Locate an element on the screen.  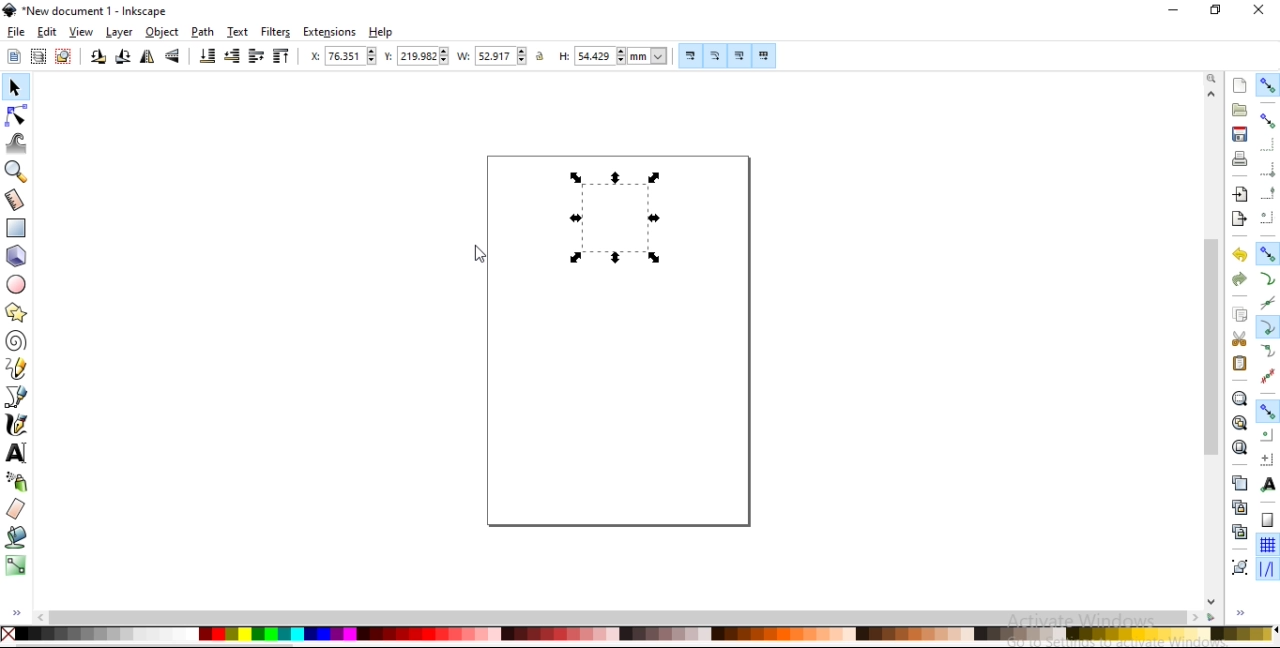
create and edit text objects is located at coordinates (16, 452).